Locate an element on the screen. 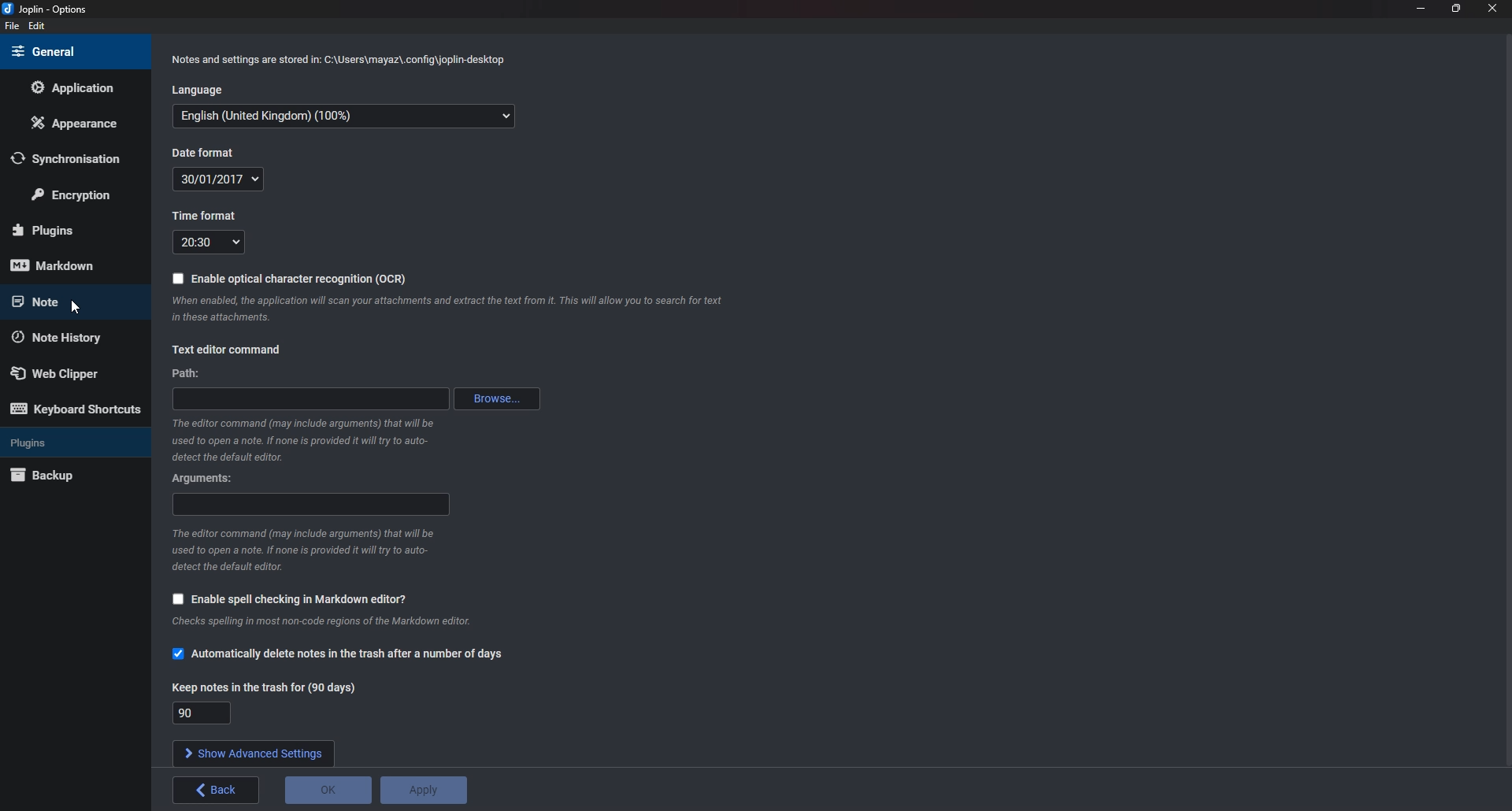 The height and width of the screenshot is (811, 1512). Keyboard shortcuts is located at coordinates (76, 409).